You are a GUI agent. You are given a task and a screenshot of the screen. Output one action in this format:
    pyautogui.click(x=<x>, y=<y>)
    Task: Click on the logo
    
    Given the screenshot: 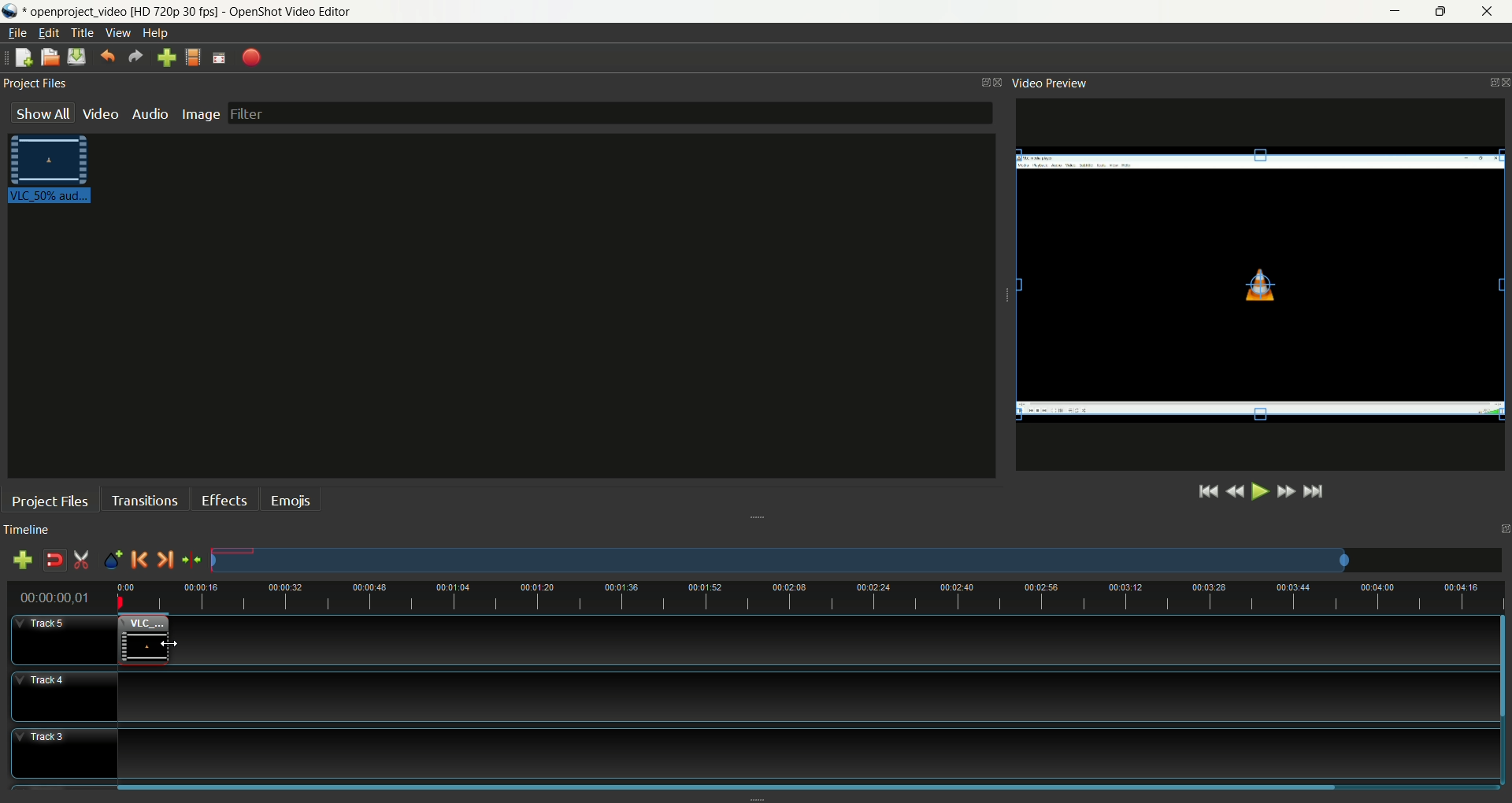 What is the action you would take?
    pyautogui.click(x=12, y=11)
    